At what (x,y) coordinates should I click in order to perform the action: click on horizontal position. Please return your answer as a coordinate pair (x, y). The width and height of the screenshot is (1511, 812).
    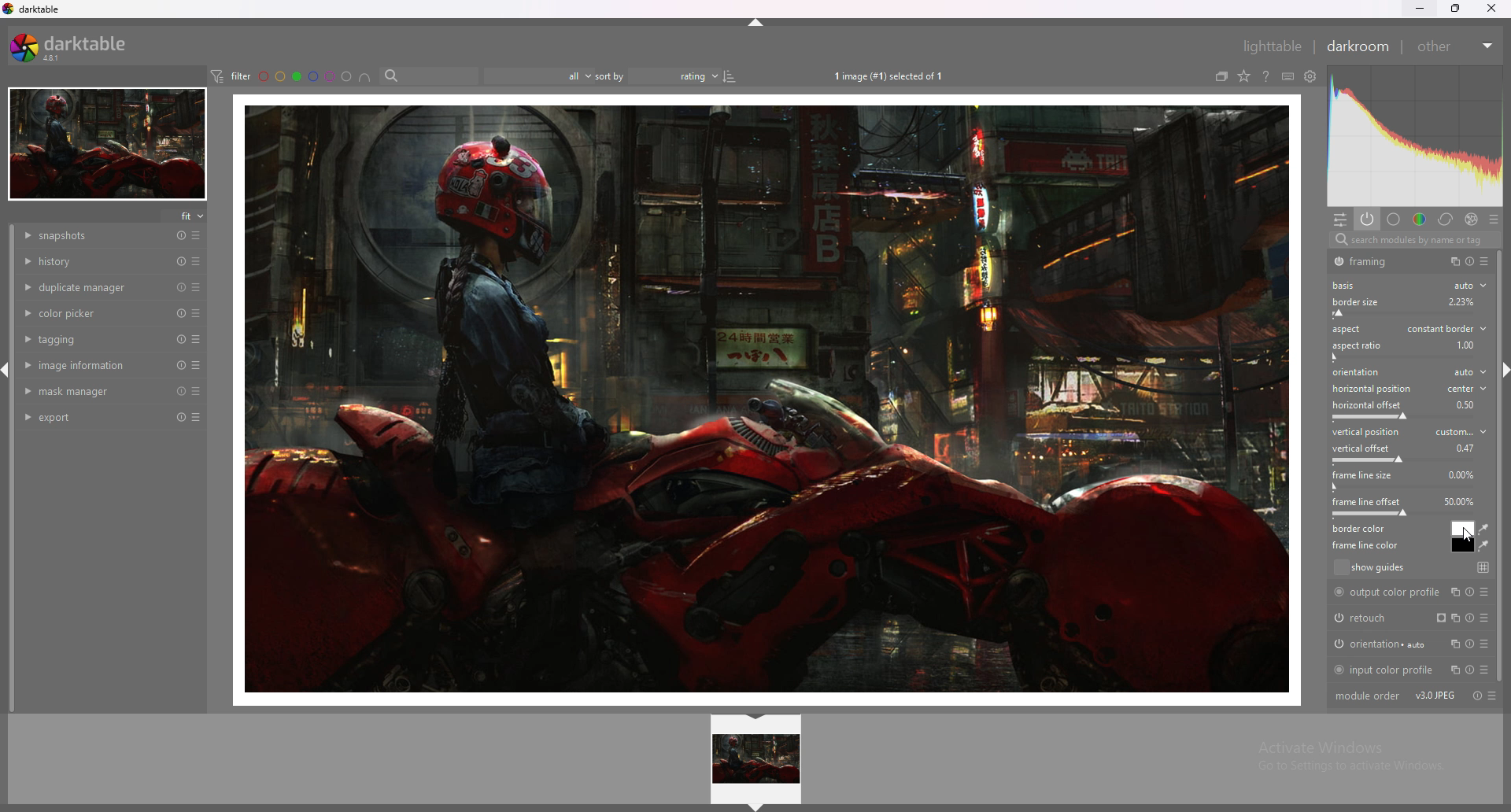
    Looking at the image, I should click on (1408, 389).